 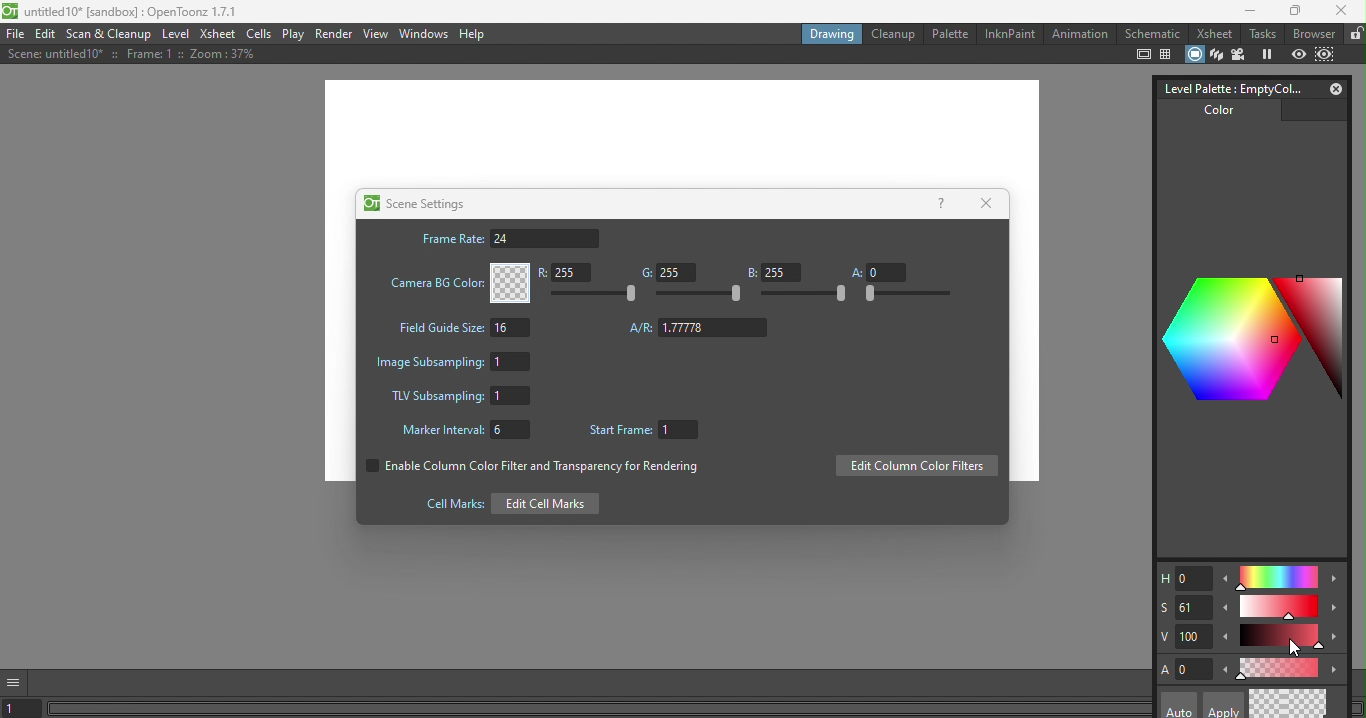 What do you see at coordinates (990, 202) in the screenshot?
I see `Close` at bounding box center [990, 202].